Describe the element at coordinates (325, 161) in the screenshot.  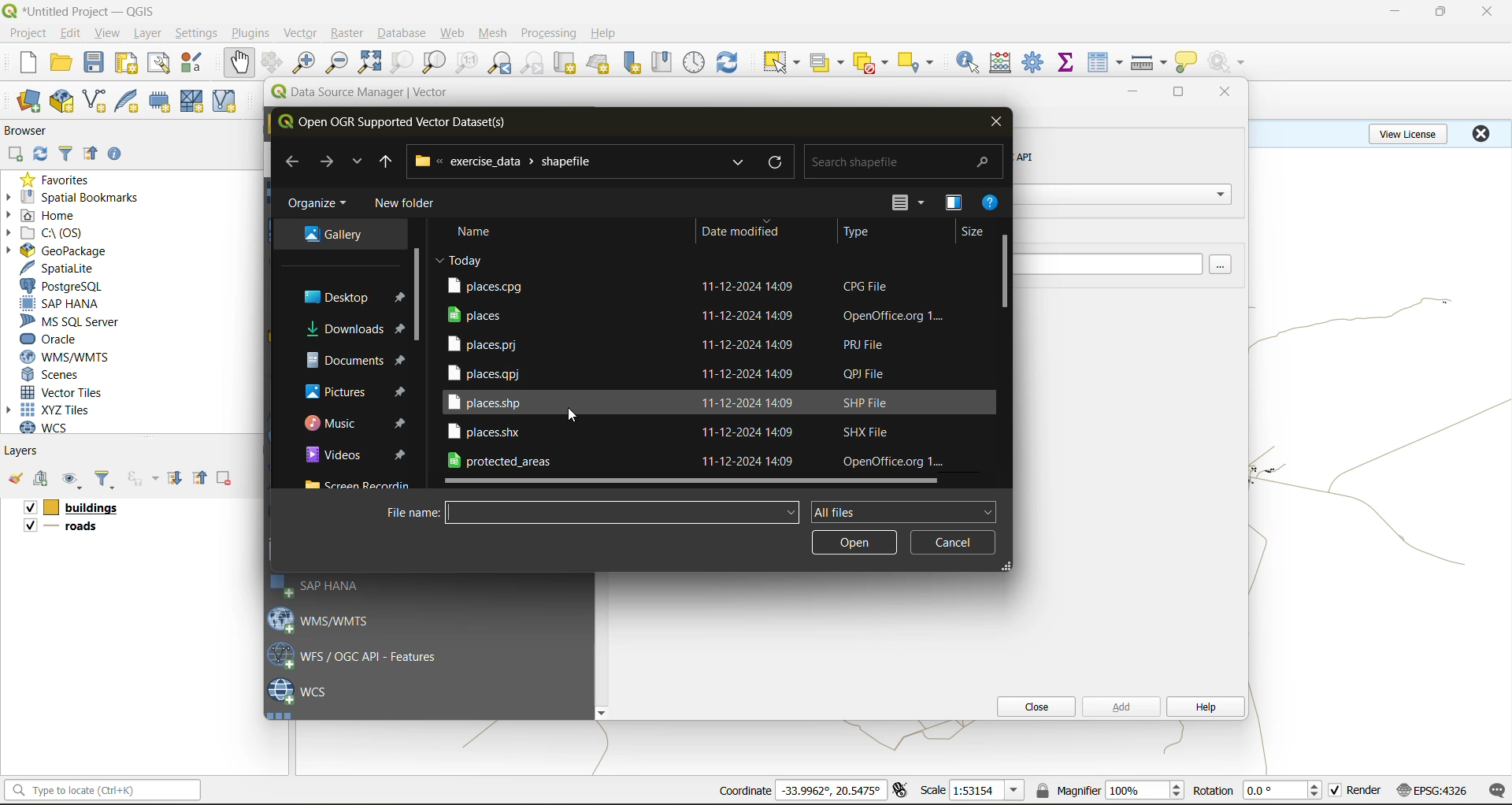
I see `forward` at that location.